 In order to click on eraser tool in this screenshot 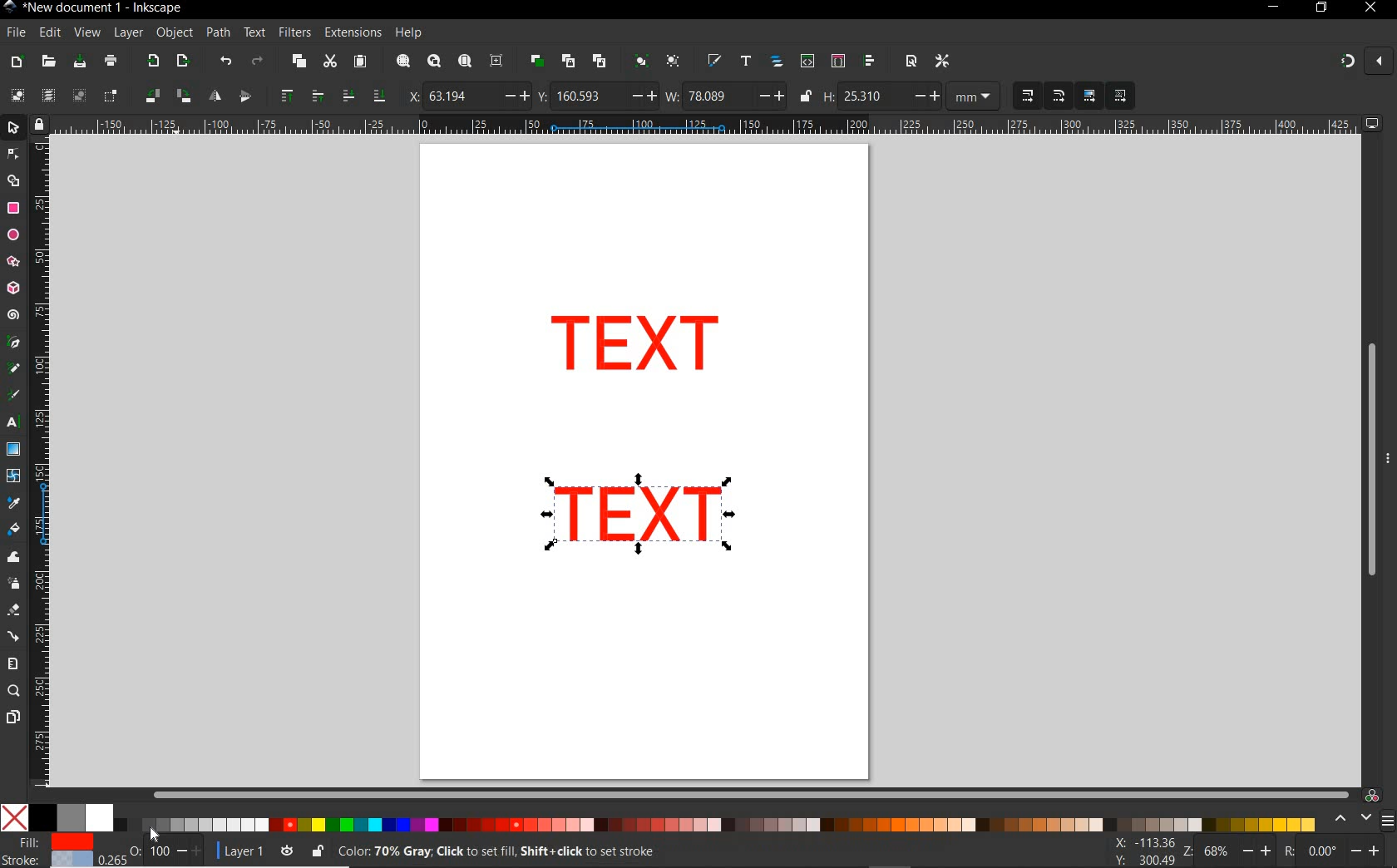, I will do `click(12, 611)`.